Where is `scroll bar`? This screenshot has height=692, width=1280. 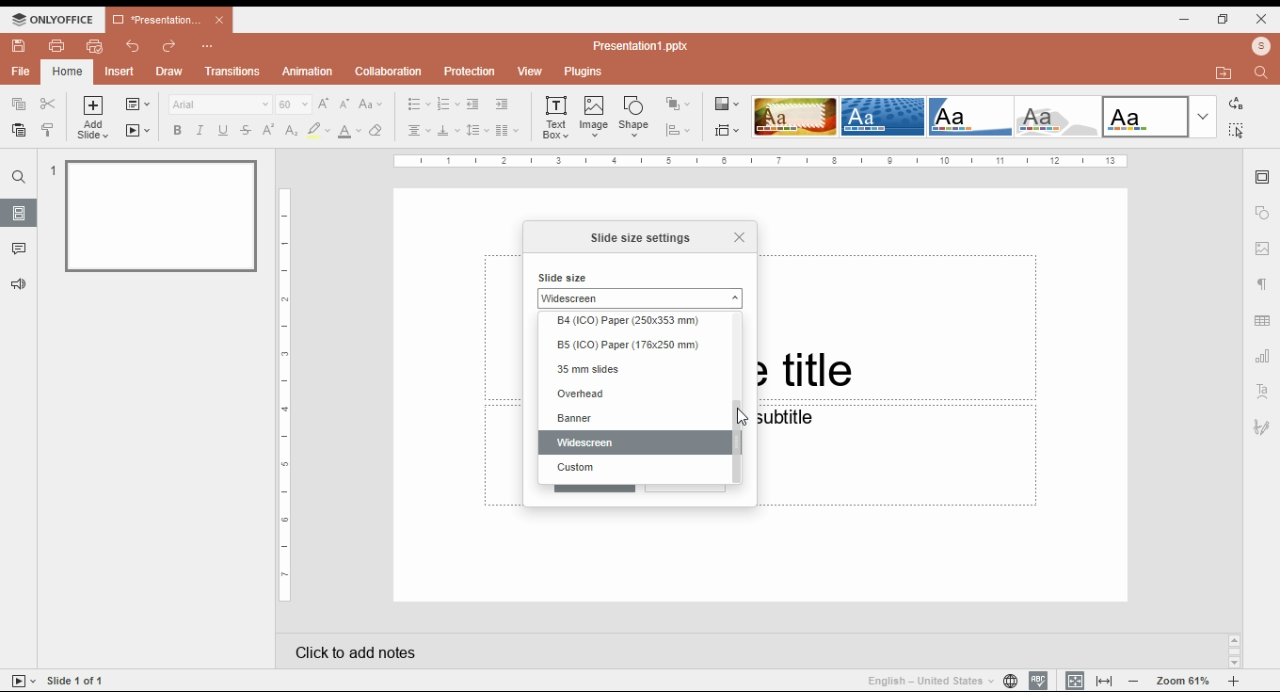
scroll bar is located at coordinates (630, 489).